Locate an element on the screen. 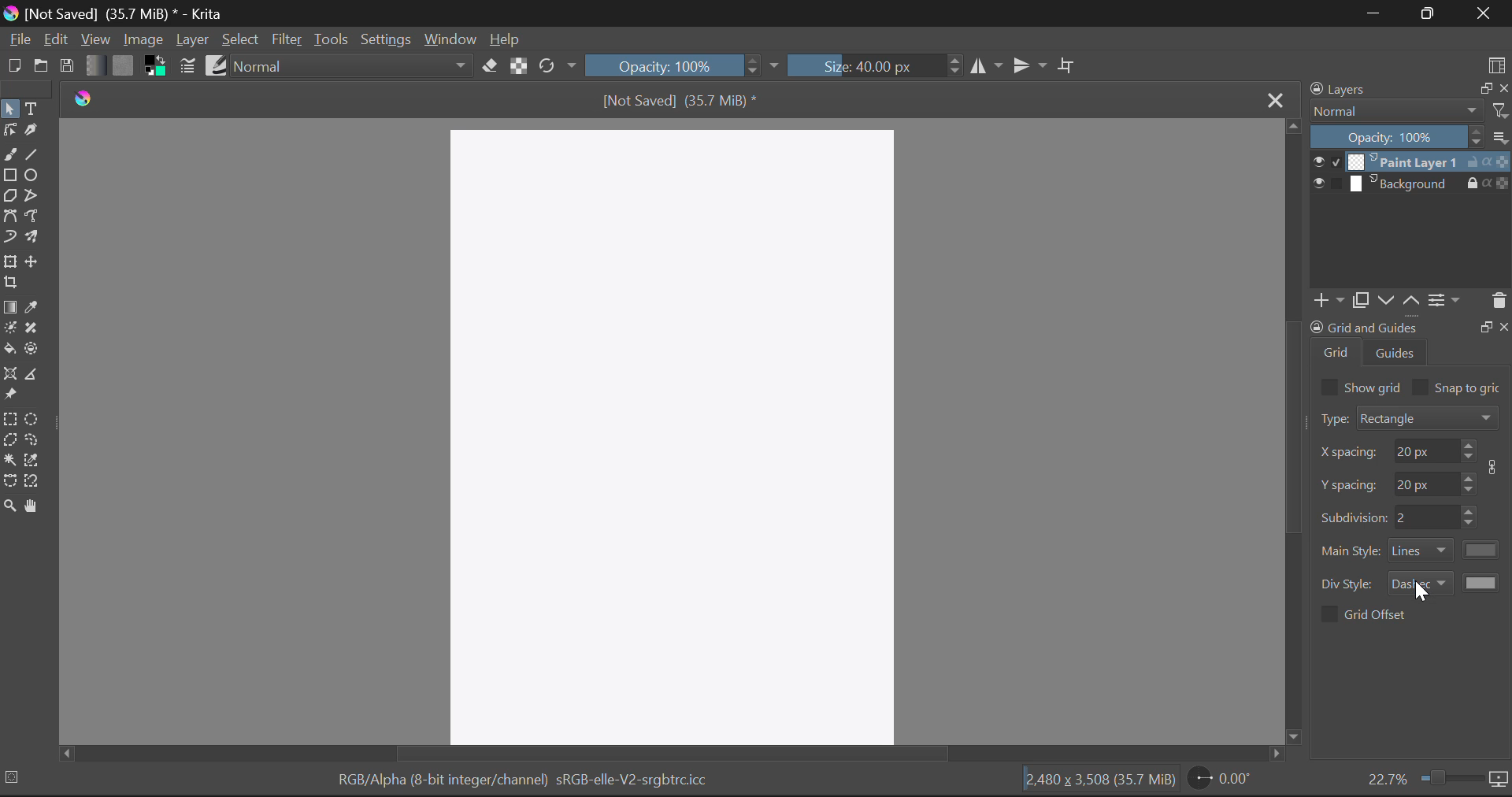  View is located at coordinates (95, 39).